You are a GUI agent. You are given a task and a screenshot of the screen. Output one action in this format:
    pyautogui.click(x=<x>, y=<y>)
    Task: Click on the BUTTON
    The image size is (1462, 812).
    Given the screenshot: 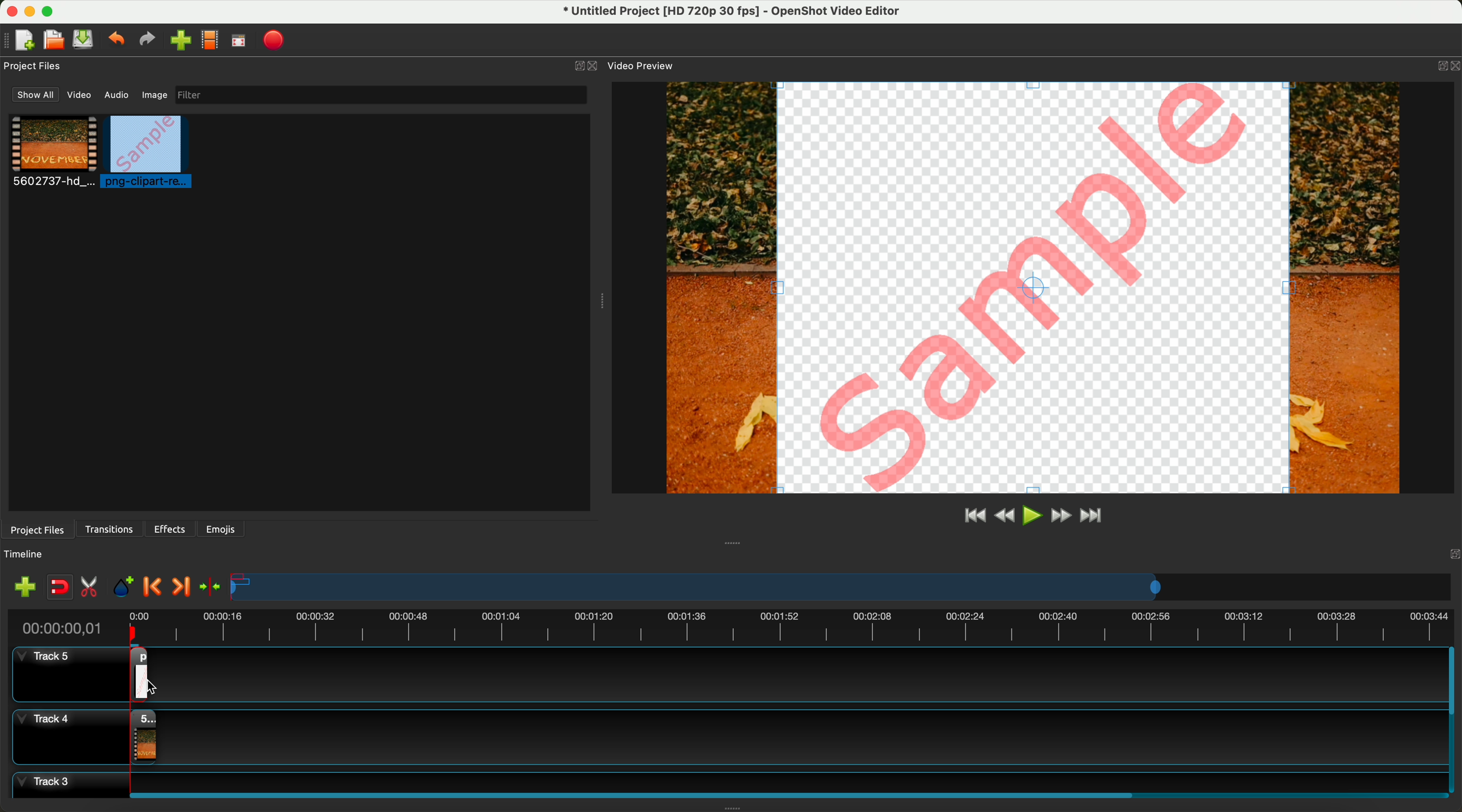 What is the action you would take?
    pyautogui.click(x=1439, y=63)
    